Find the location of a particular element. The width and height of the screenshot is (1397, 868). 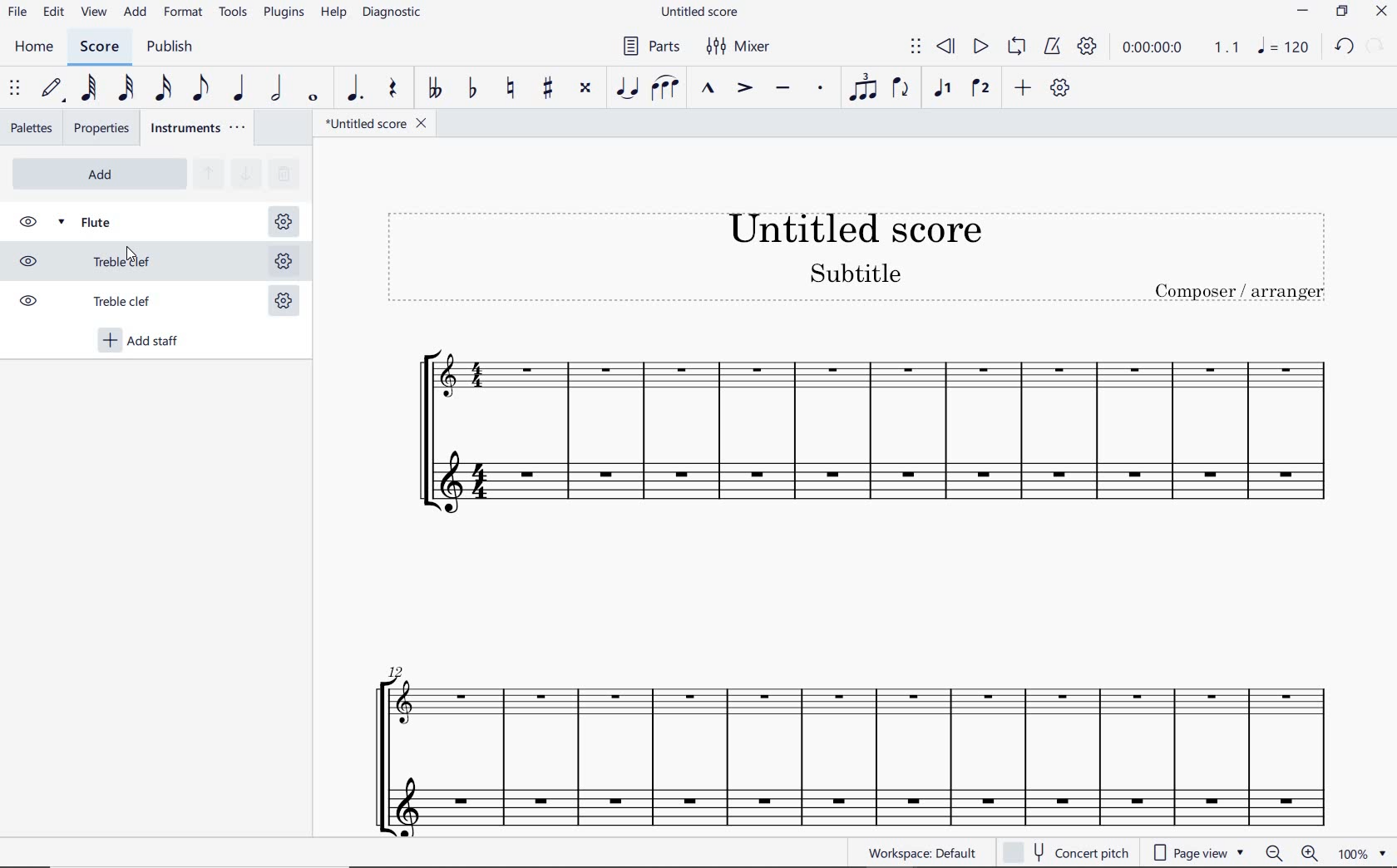

Title is located at coordinates (858, 257).